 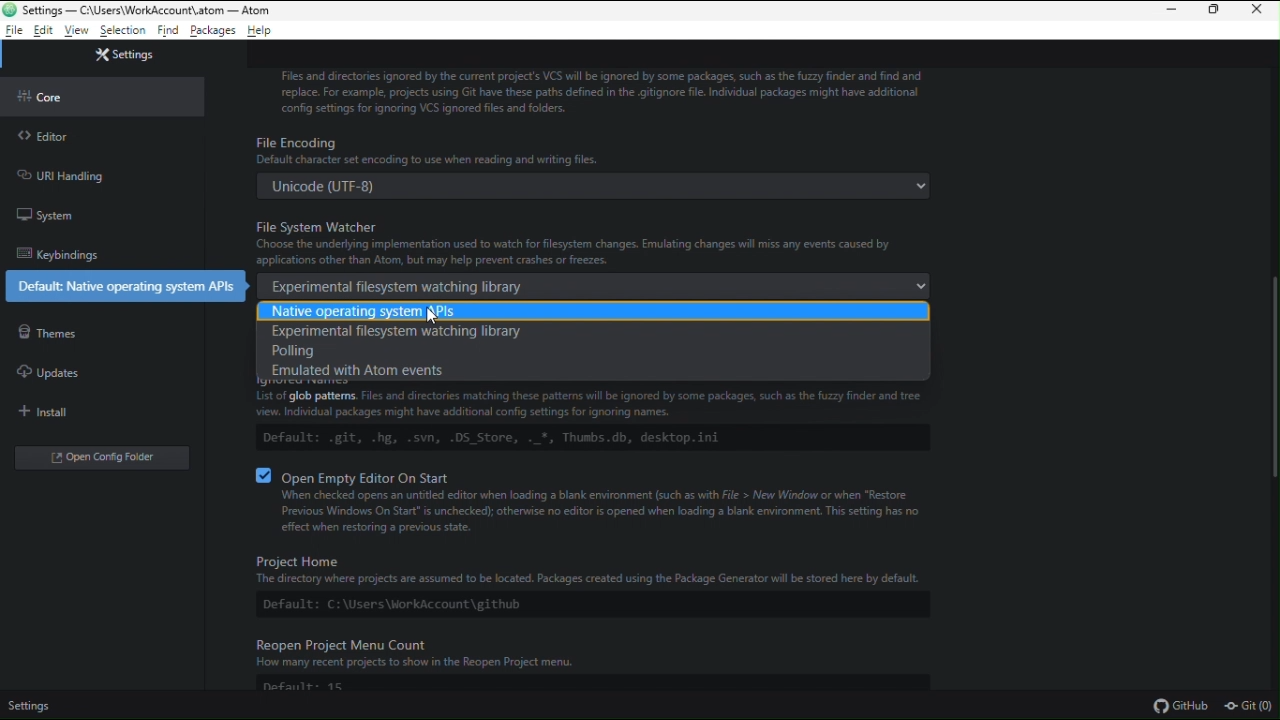 What do you see at coordinates (603, 501) in the screenshot?
I see `Open empty editor on start` at bounding box center [603, 501].